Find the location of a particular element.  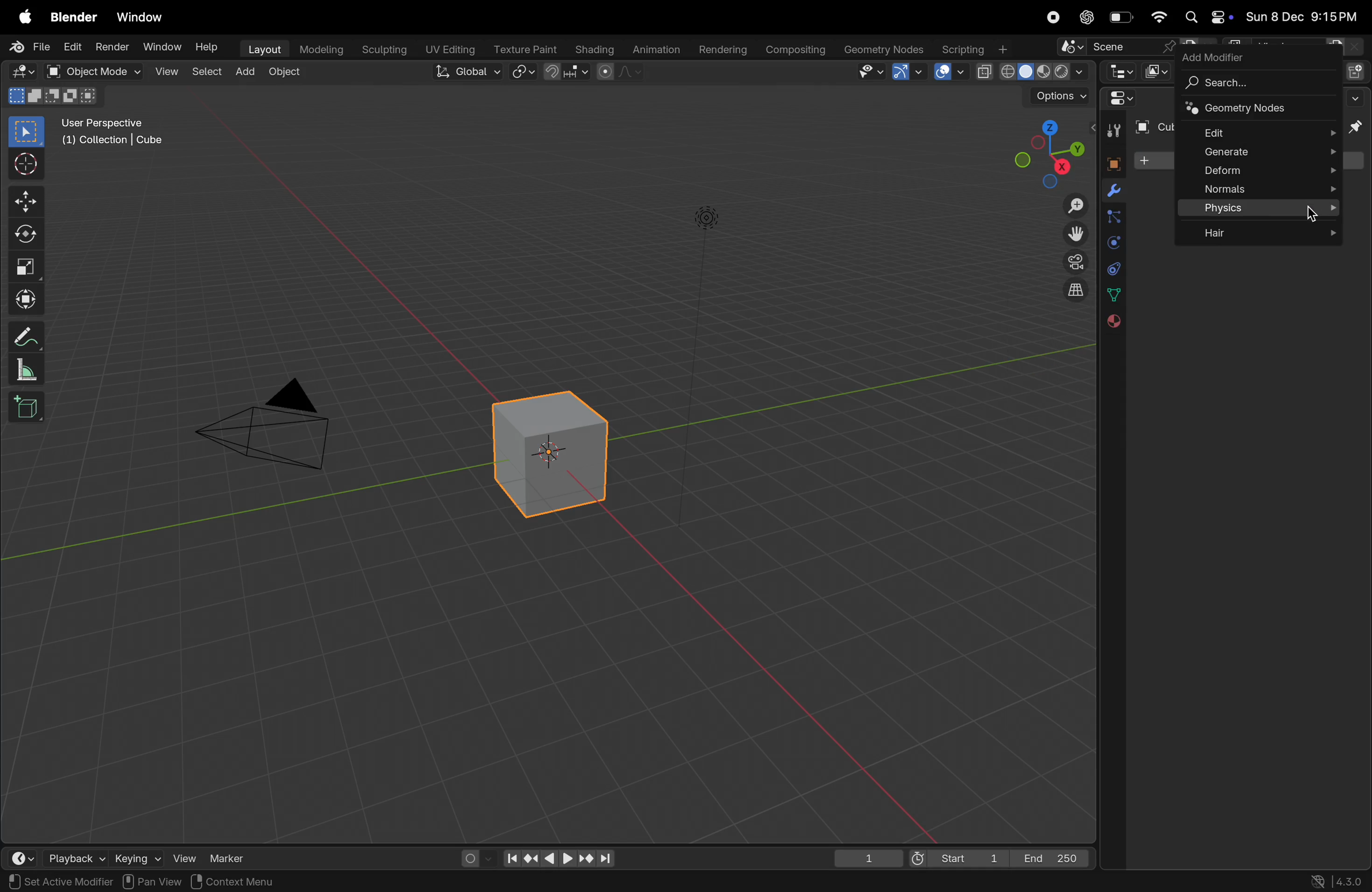

object is located at coordinates (290, 74).